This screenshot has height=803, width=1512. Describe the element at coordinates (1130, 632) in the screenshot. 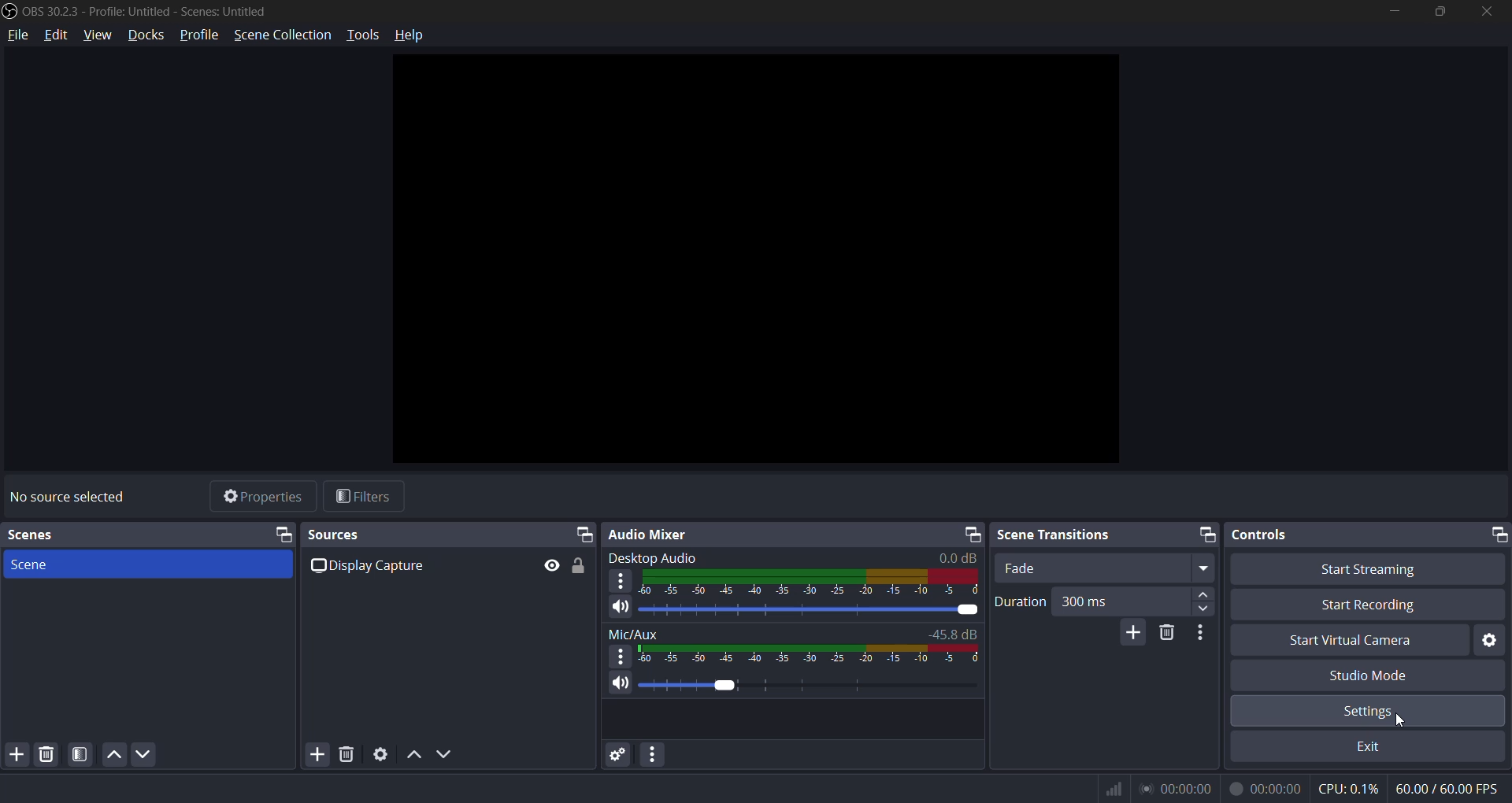

I see `add configurable transition` at that location.